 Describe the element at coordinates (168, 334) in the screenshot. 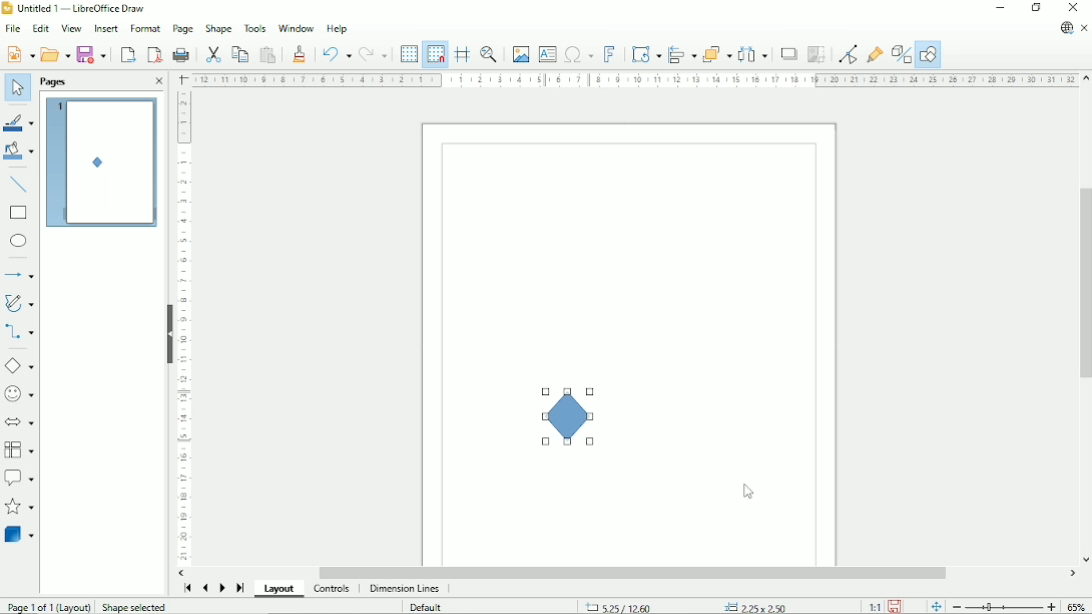

I see `Hide` at that location.